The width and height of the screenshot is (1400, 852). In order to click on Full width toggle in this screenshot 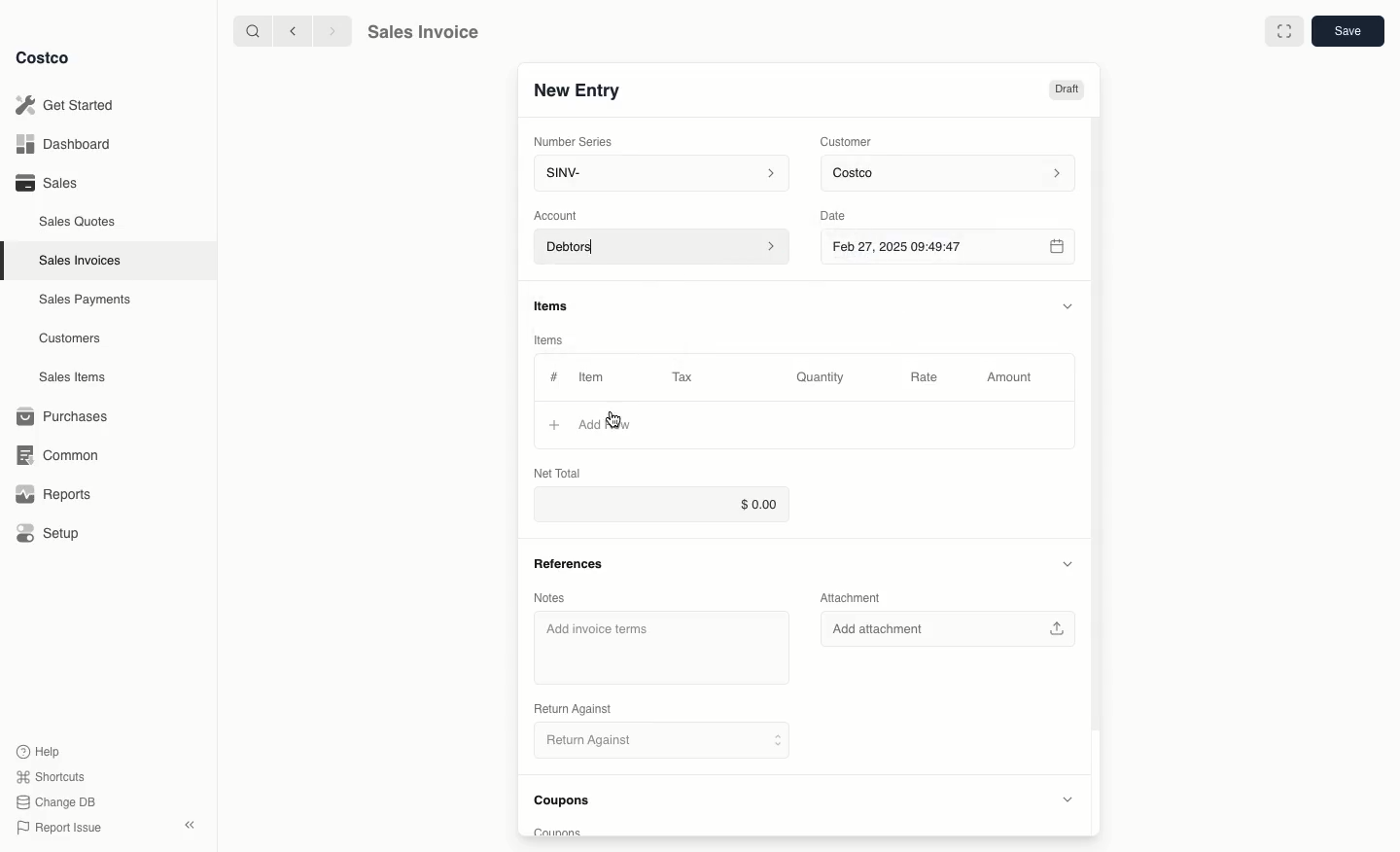, I will do `click(1283, 31)`.